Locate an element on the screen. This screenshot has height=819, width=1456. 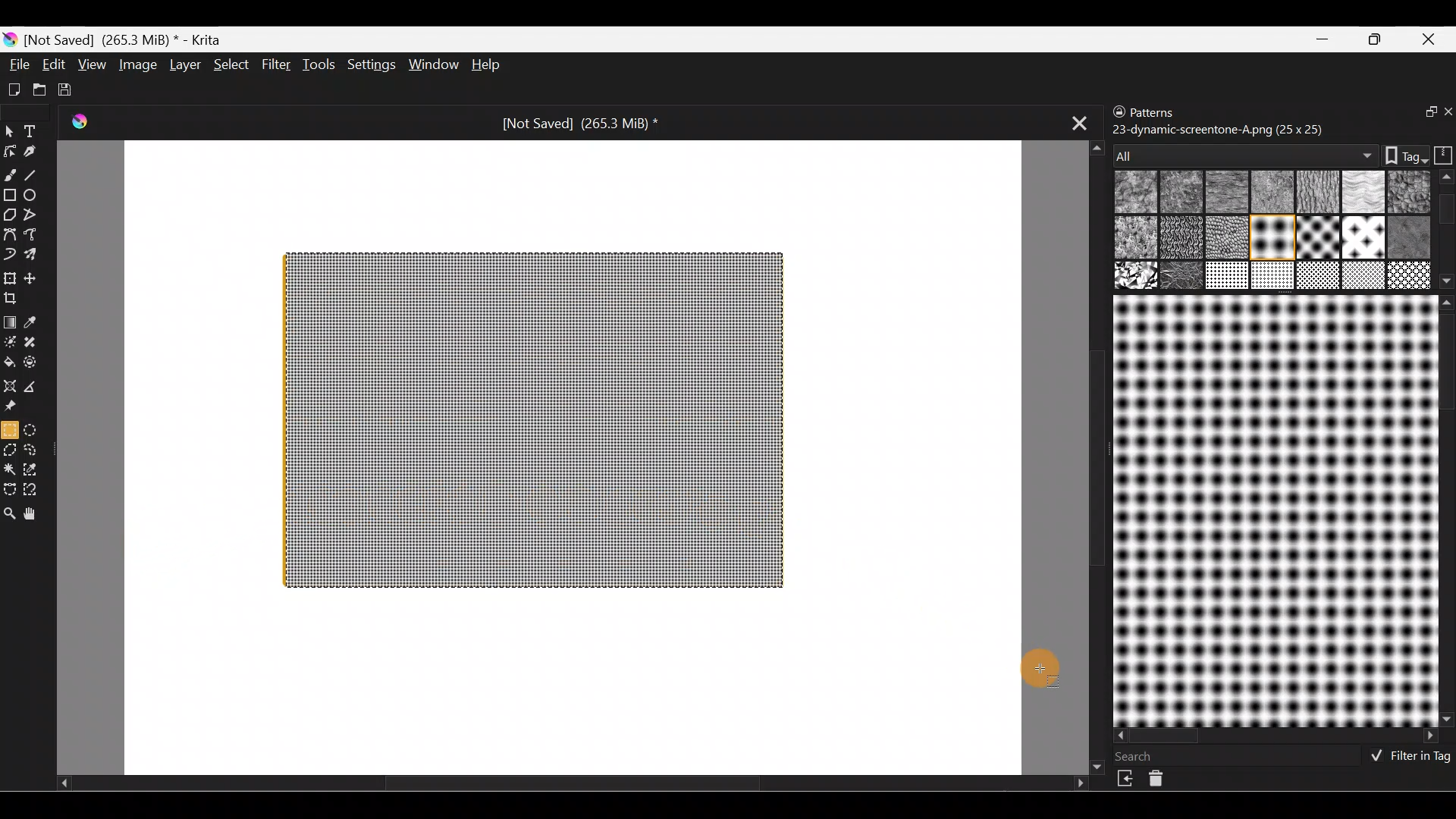
Filter in tag is located at coordinates (1407, 758).